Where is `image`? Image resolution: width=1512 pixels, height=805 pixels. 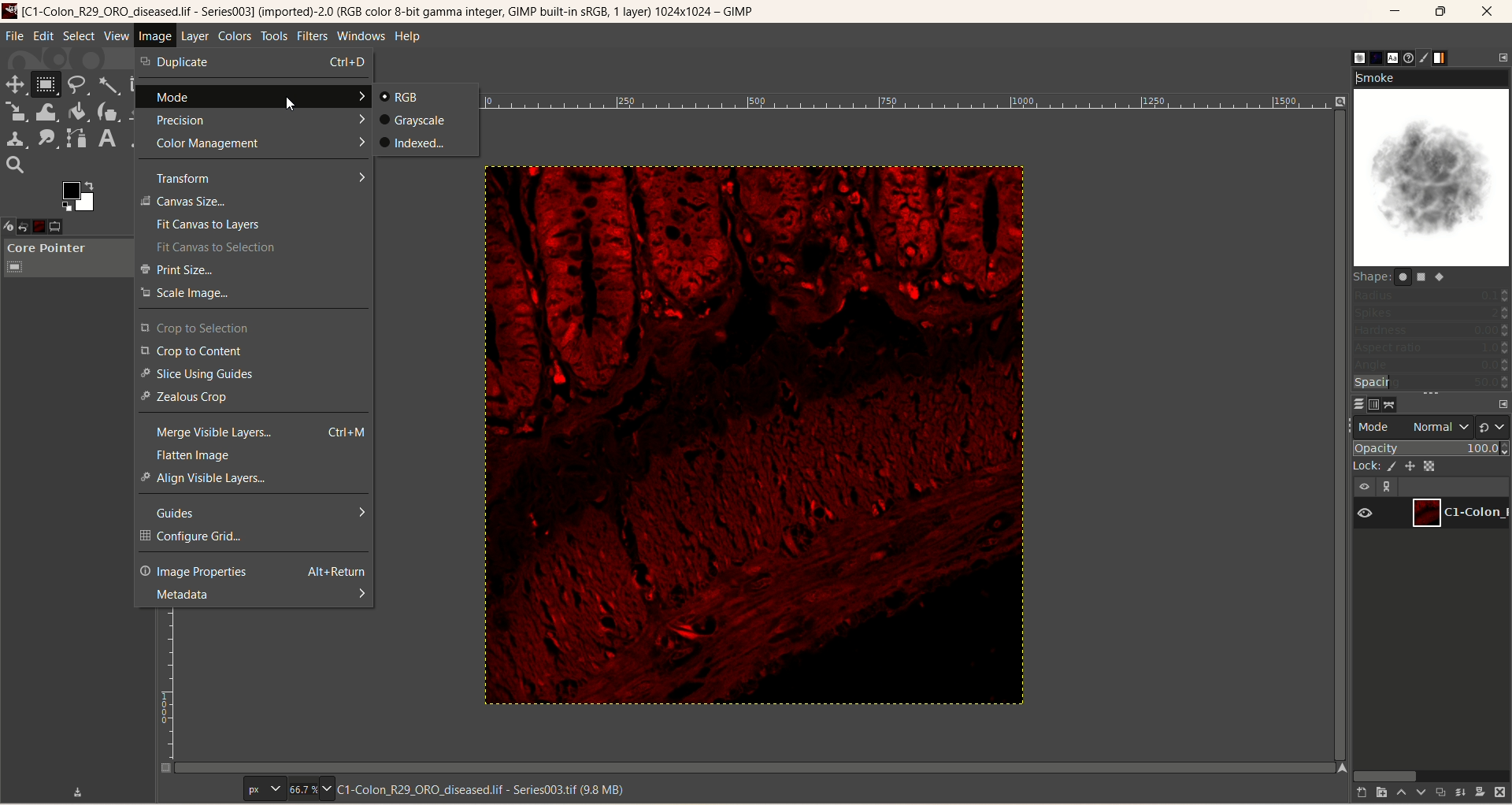
image is located at coordinates (157, 35).